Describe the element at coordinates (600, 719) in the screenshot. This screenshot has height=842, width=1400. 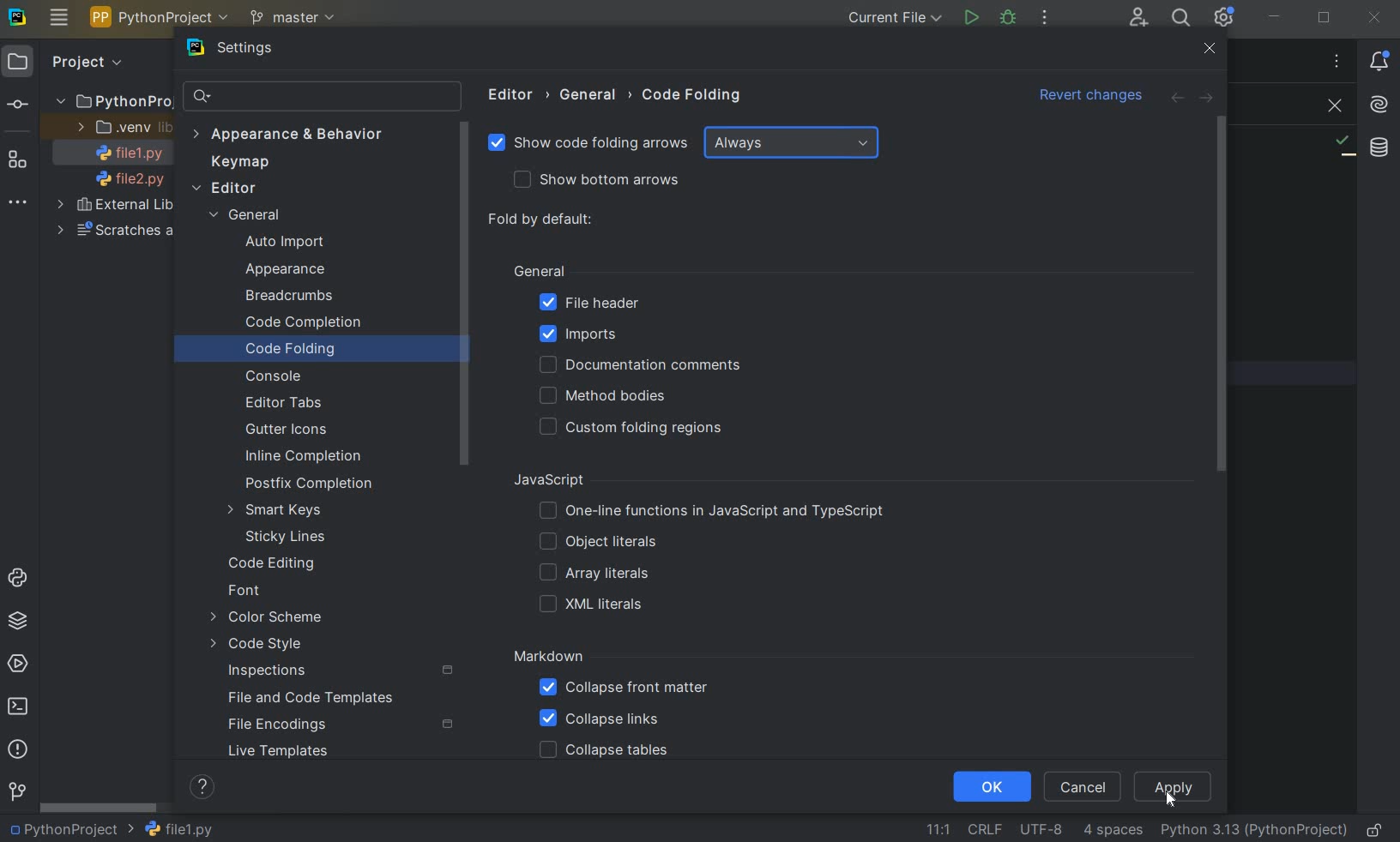
I see `COLLAPSE LINKS` at that location.